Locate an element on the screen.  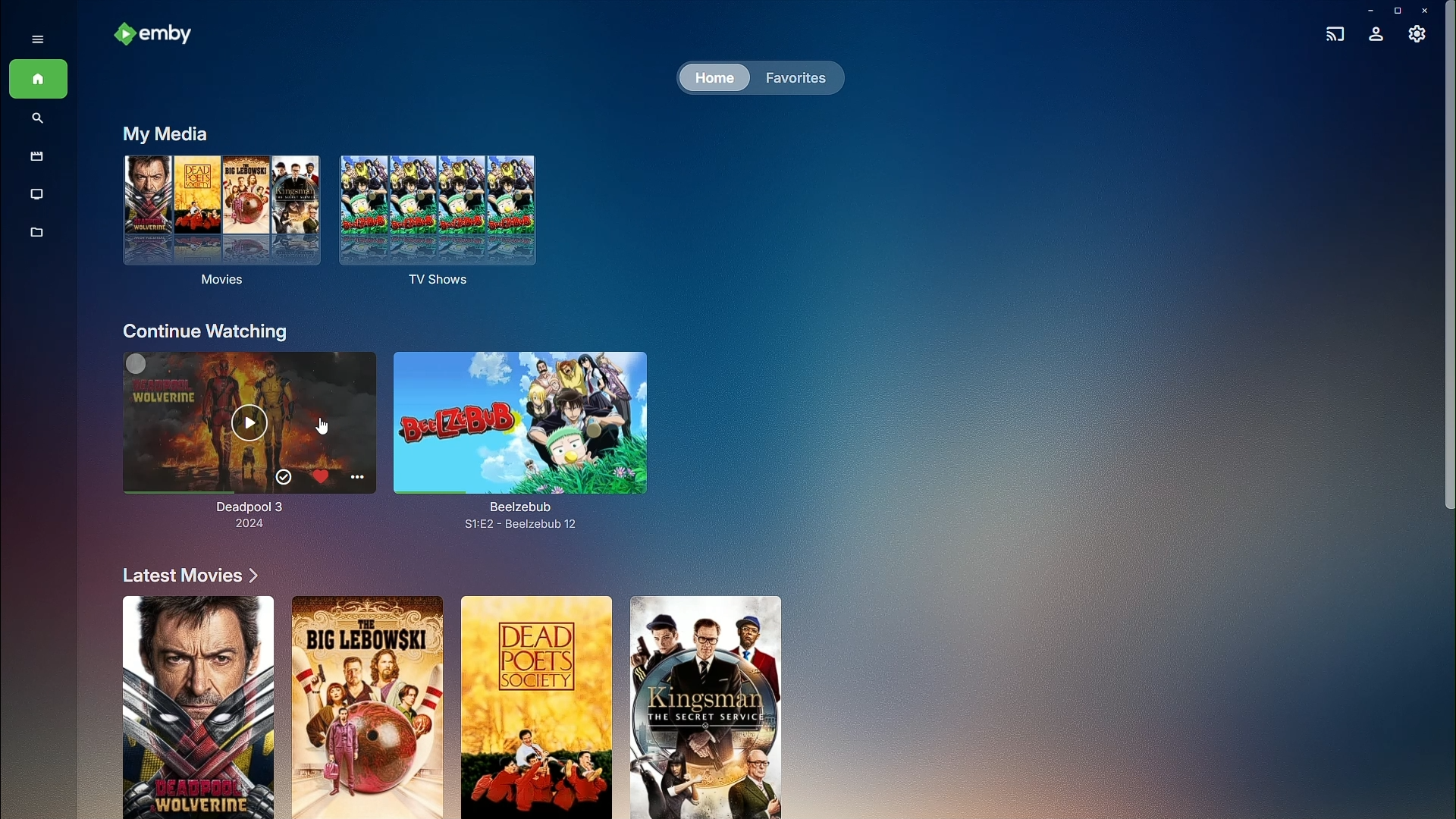
Find is located at coordinates (36, 120).